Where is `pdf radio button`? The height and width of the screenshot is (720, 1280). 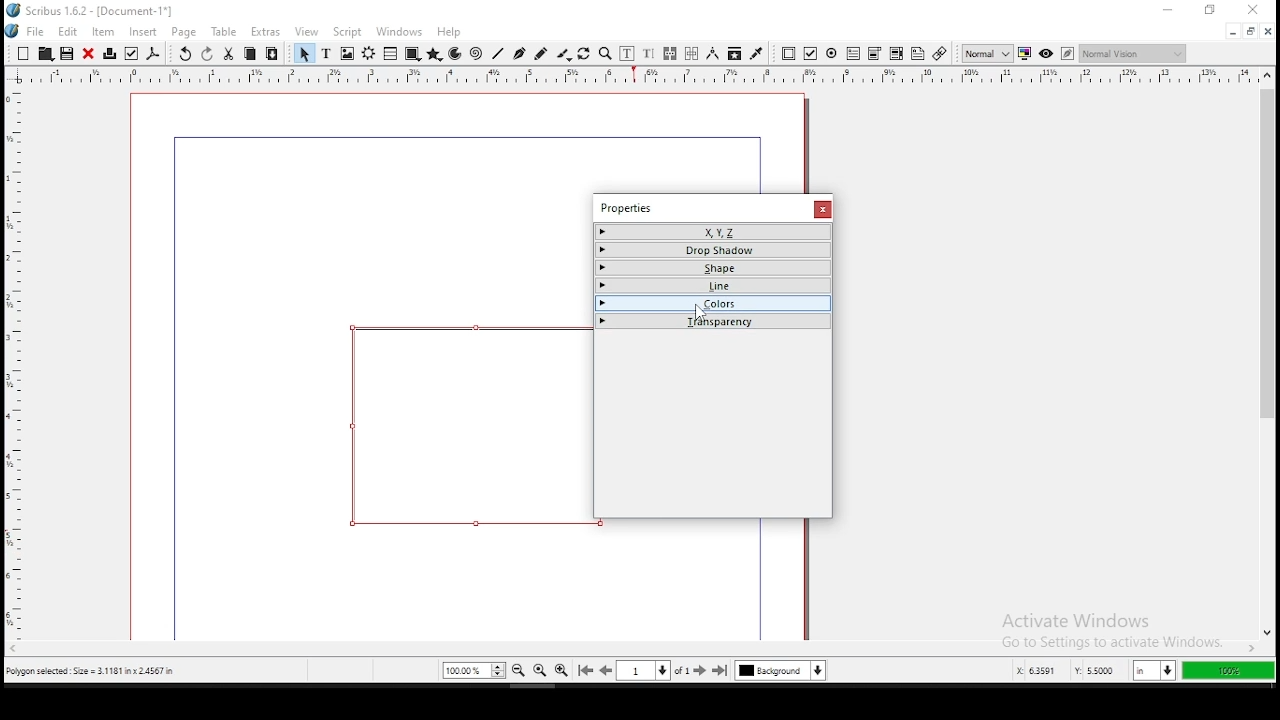
pdf radio button is located at coordinates (832, 53).